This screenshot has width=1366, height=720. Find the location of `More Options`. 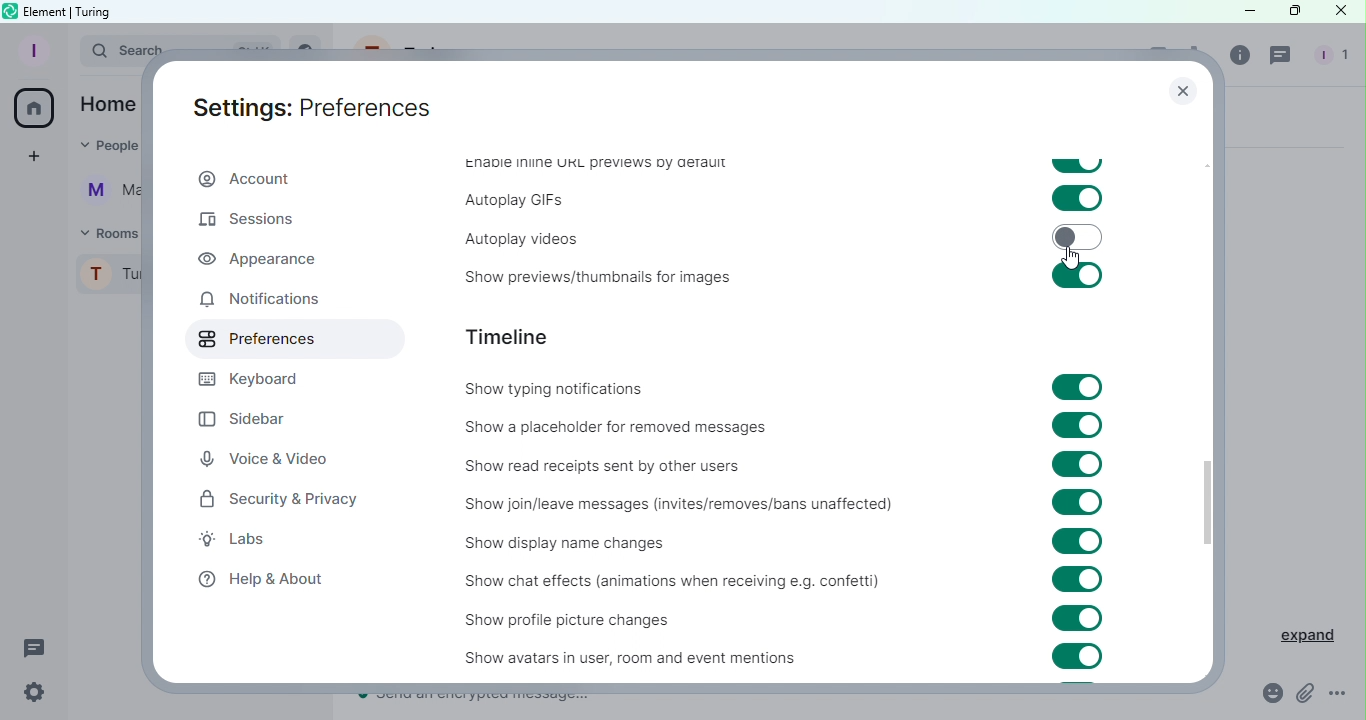

More Options is located at coordinates (1338, 694).